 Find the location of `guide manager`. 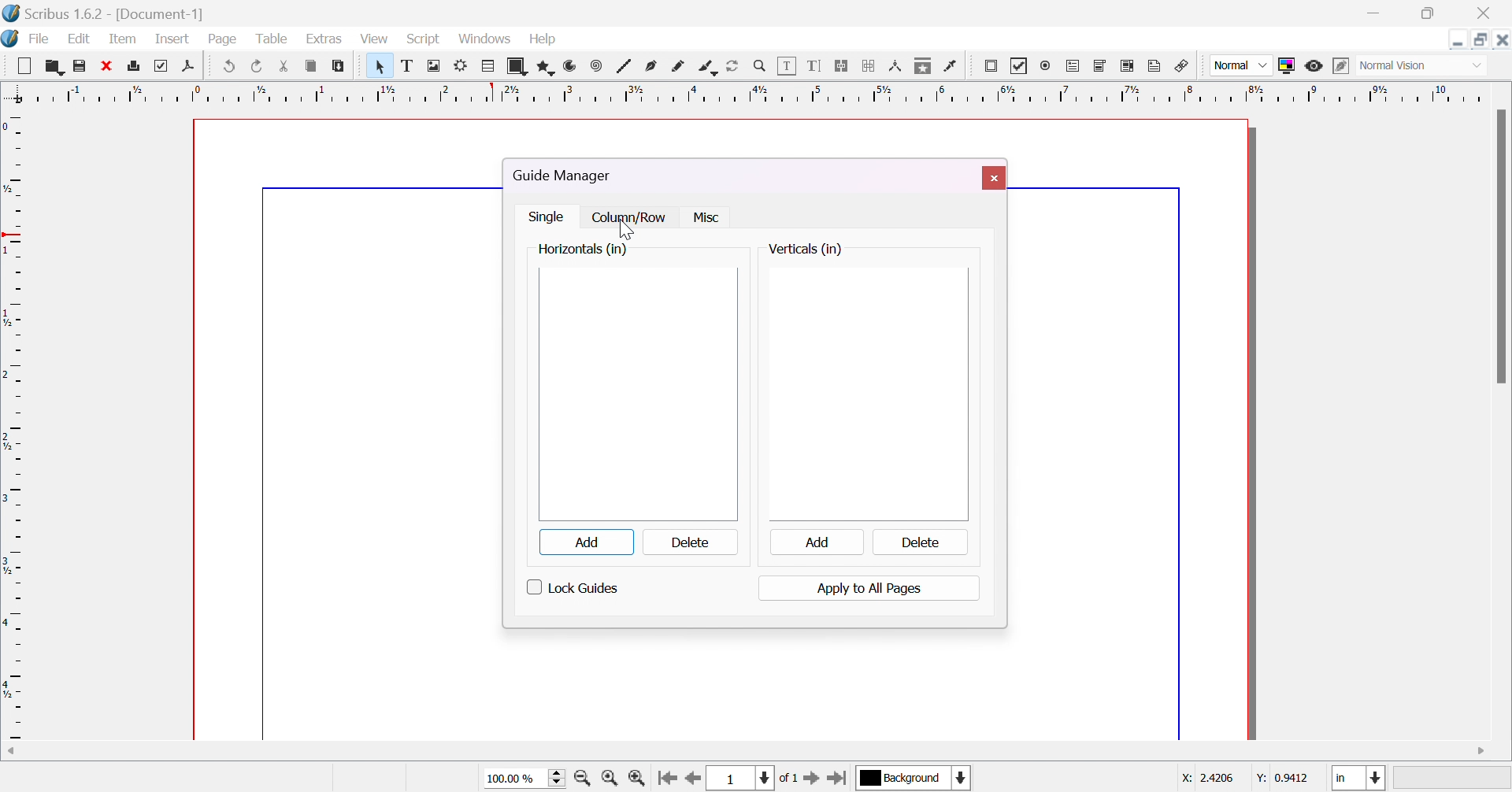

guide manager is located at coordinates (568, 176).